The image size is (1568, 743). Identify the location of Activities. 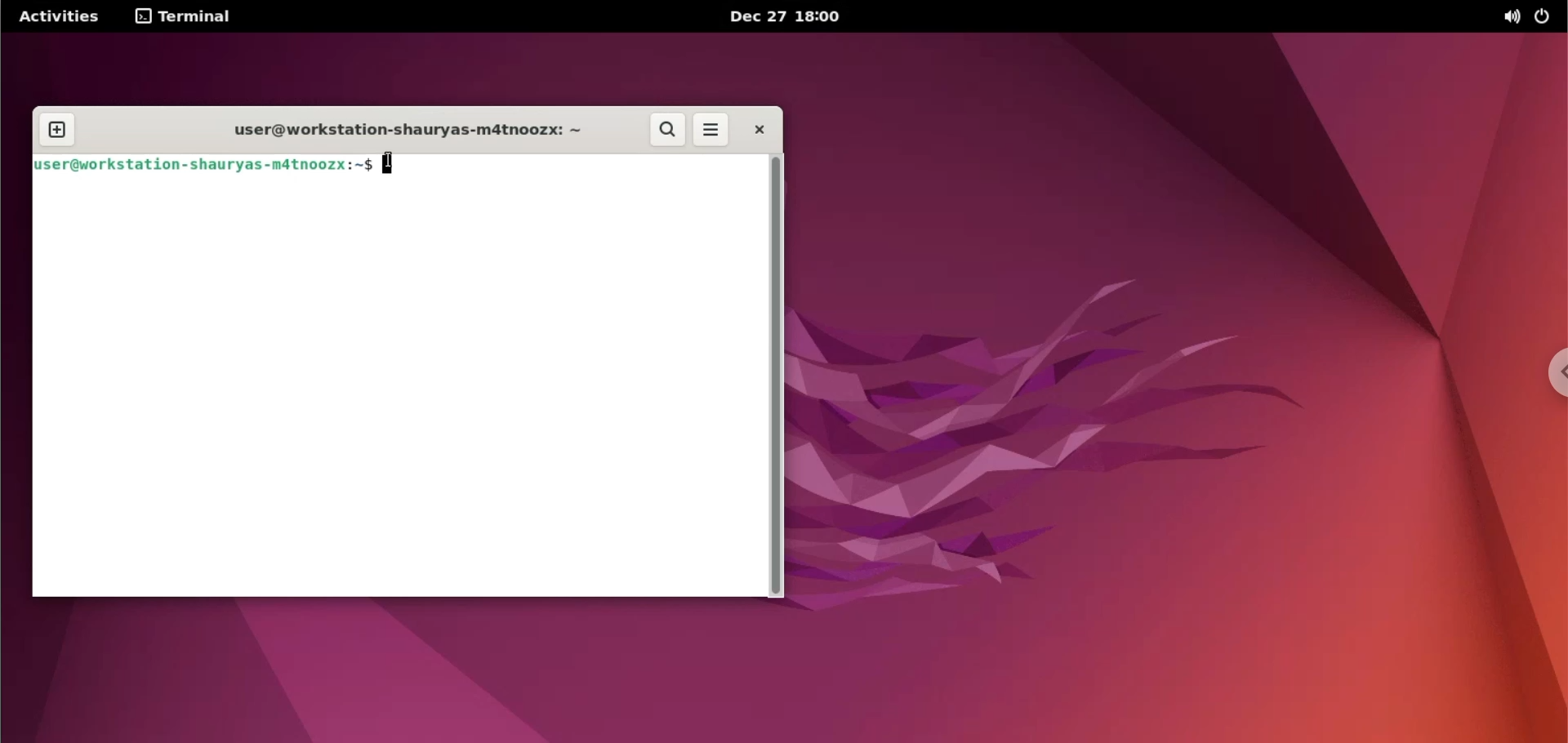
(60, 16).